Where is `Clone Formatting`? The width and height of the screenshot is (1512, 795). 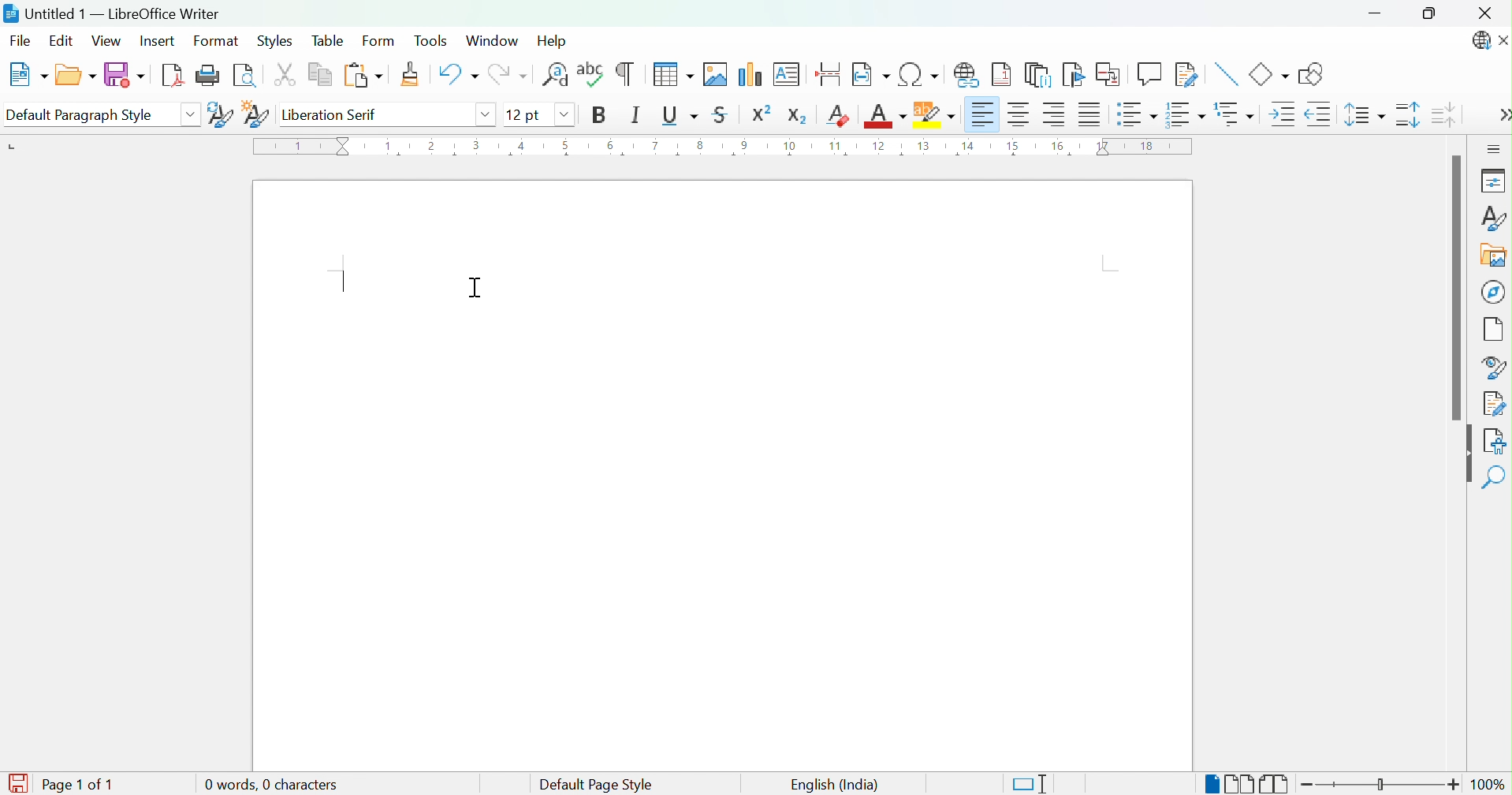
Clone Formatting is located at coordinates (413, 75).